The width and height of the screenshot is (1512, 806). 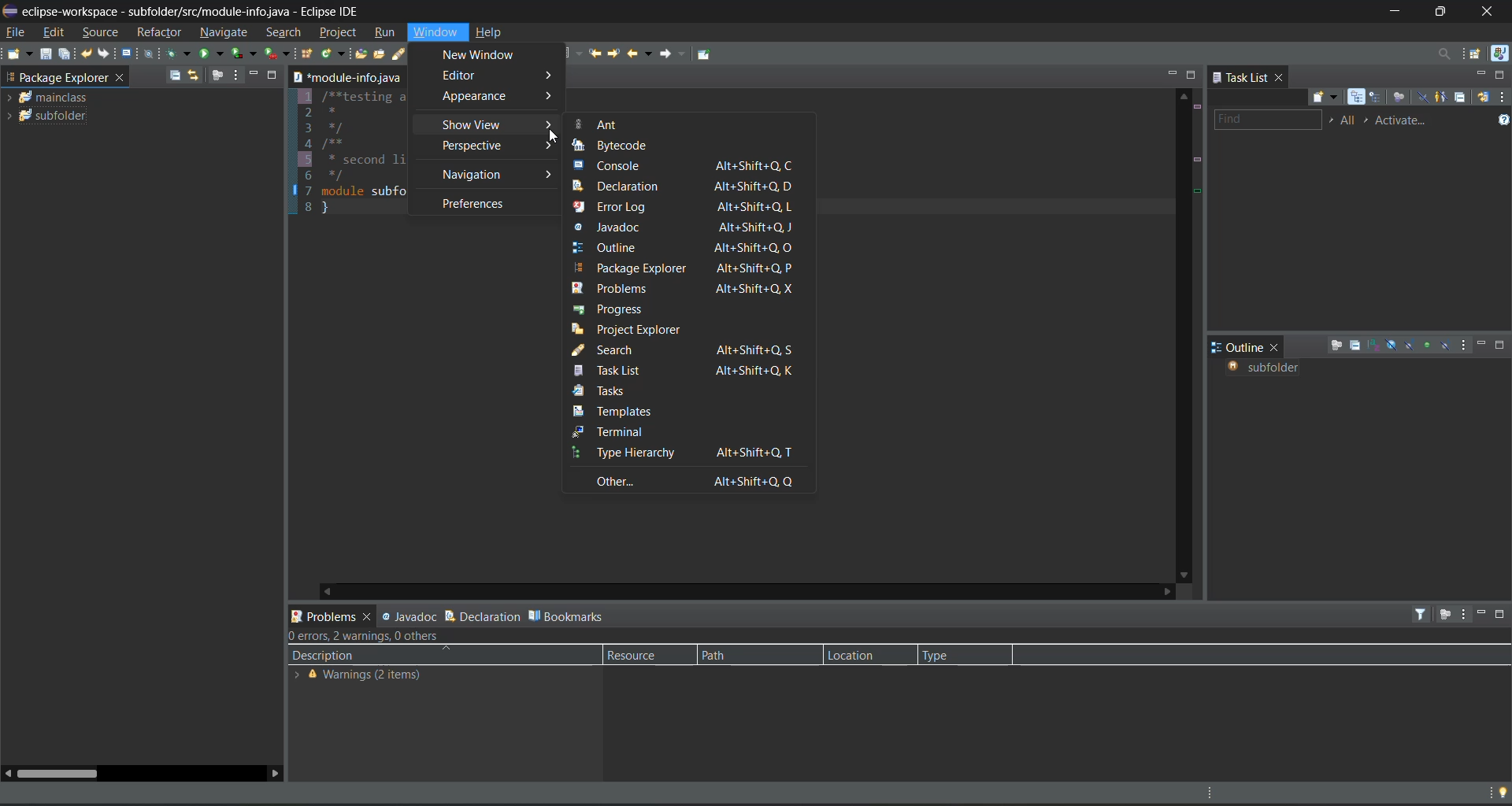 What do you see at coordinates (1493, 12) in the screenshot?
I see `close` at bounding box center [1493, 12].